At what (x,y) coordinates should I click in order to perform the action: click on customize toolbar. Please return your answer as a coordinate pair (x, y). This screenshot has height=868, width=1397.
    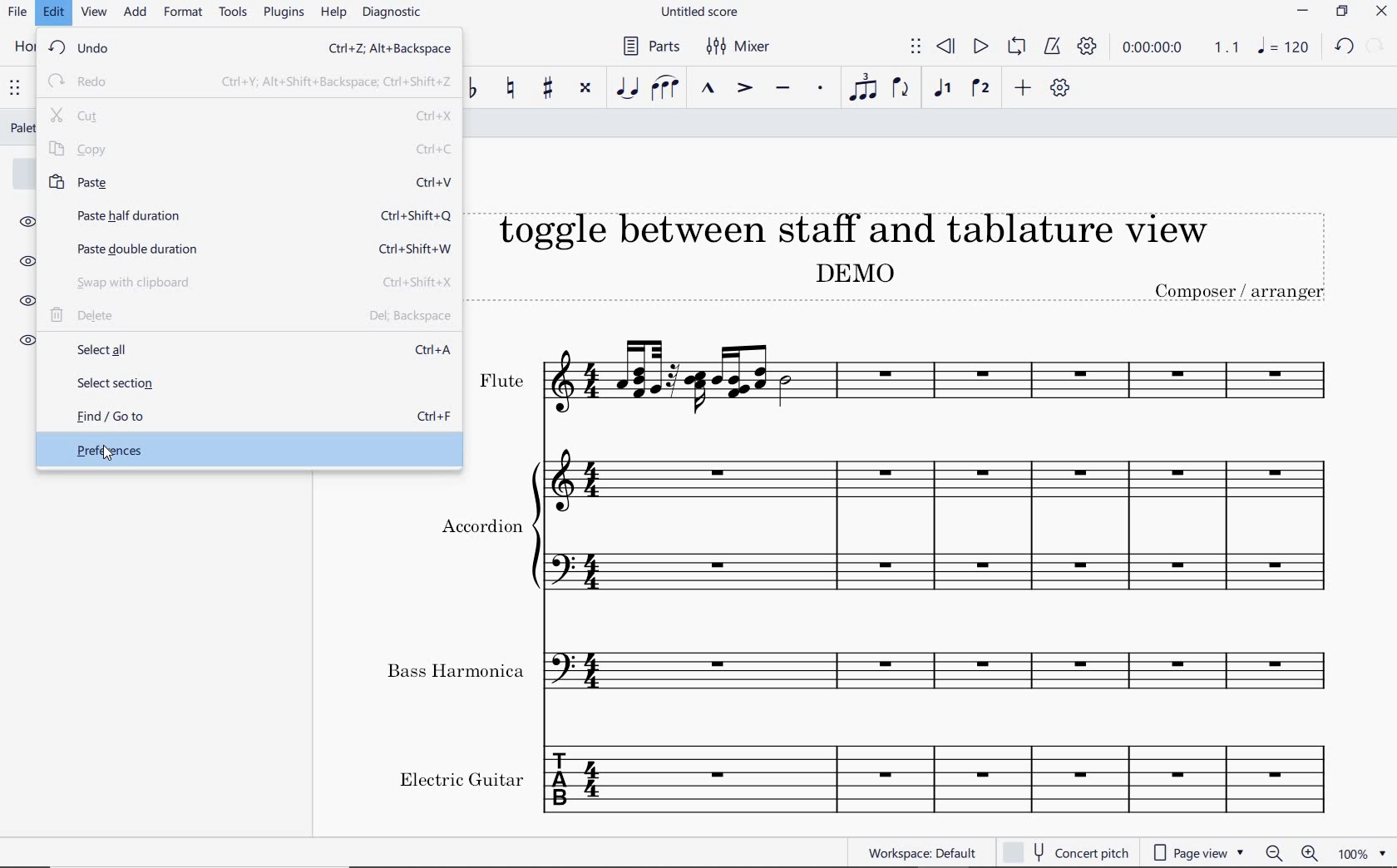
    Looking at the image, I should click on (1063, 90).